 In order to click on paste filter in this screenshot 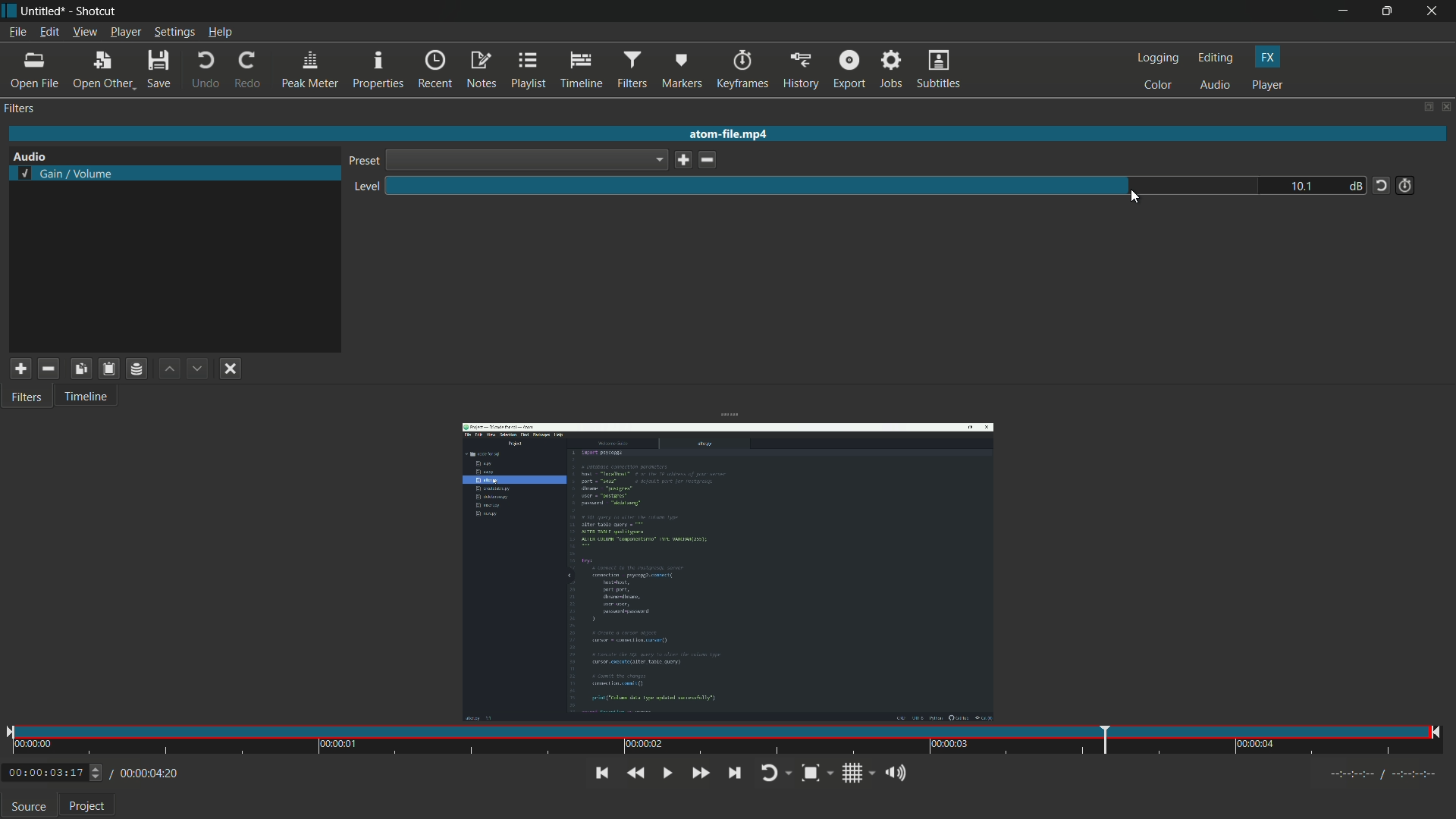, I will do `click(110, 369)`.